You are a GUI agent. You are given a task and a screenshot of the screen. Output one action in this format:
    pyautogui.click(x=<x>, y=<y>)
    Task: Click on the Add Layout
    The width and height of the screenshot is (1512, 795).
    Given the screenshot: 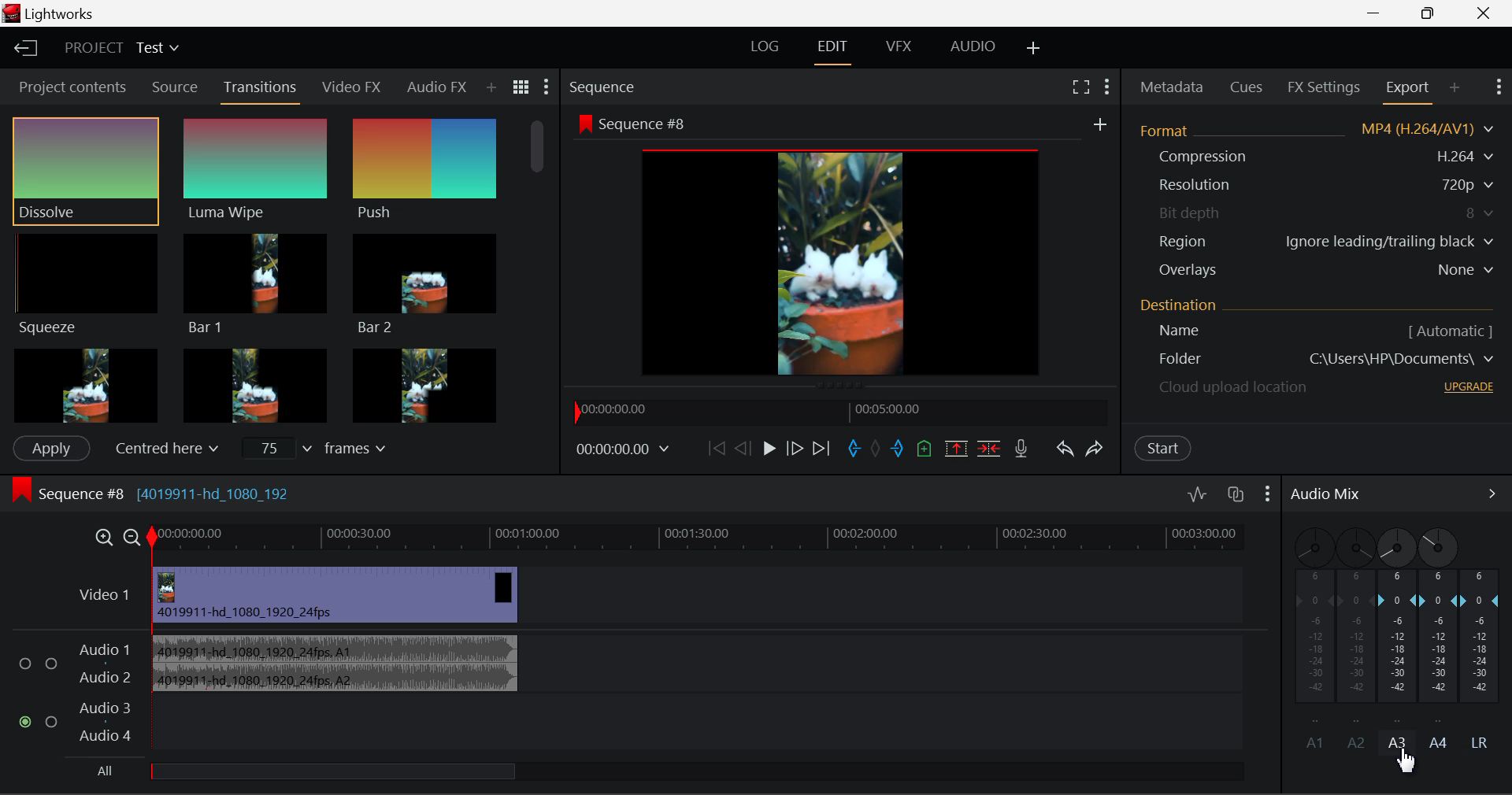 What is the action you would take?
    pyautogui.click(x=1034, y=46)
    